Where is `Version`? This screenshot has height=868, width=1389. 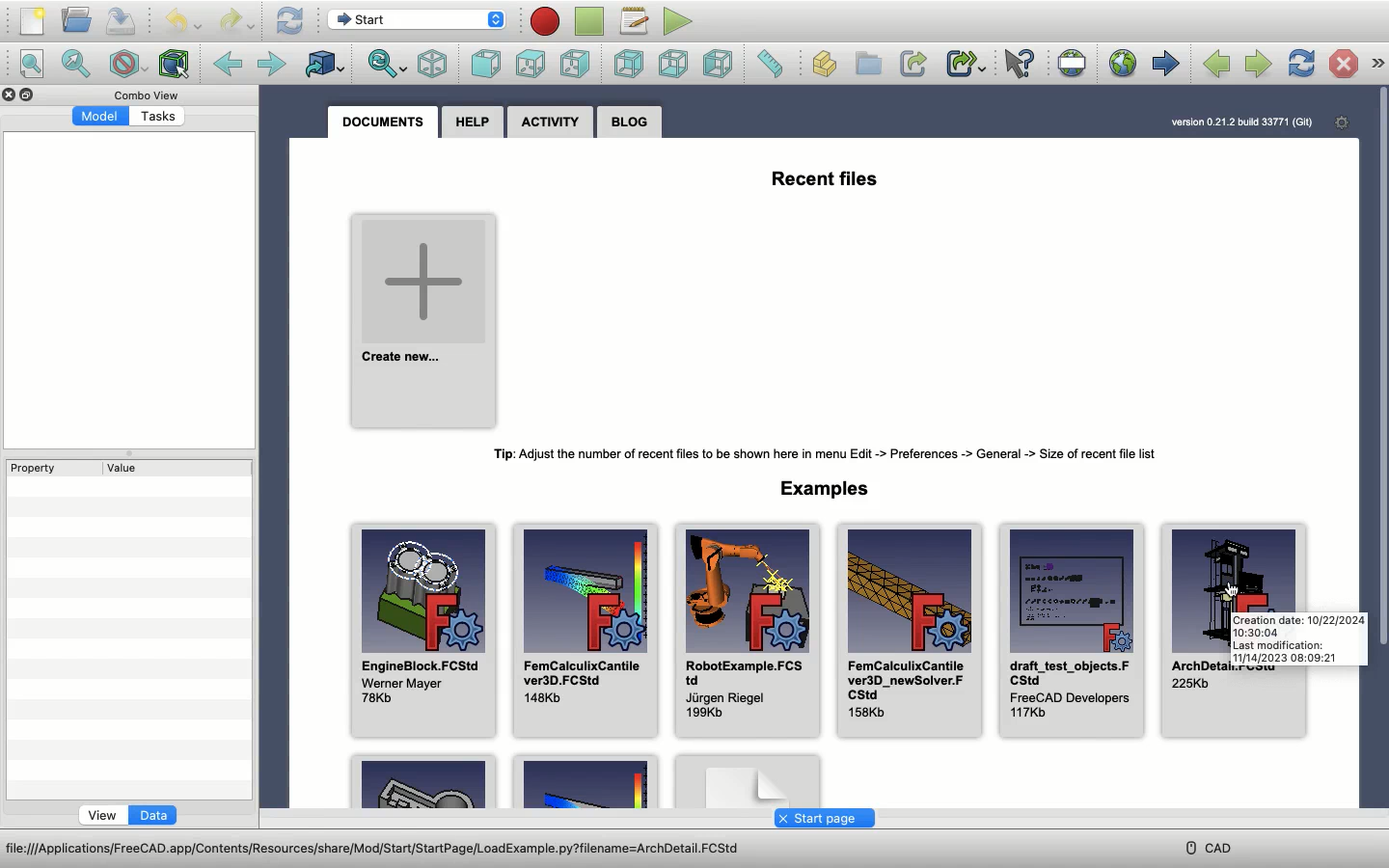
Version is located at coordinates (1241, 123).